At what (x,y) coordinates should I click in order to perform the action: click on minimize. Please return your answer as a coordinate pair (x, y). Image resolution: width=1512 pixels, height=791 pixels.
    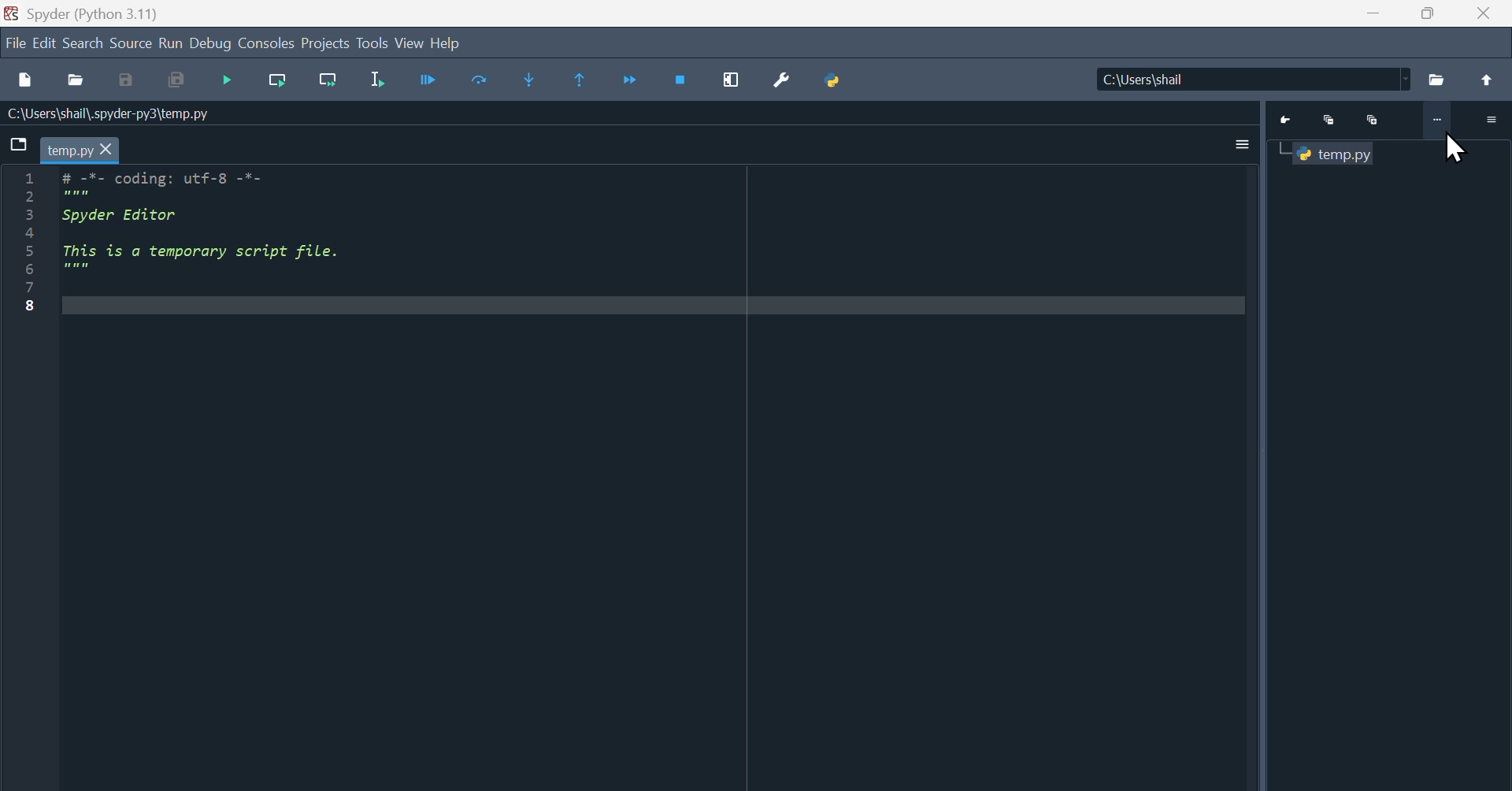
    Looking at the image, I should click on (1373, 13).